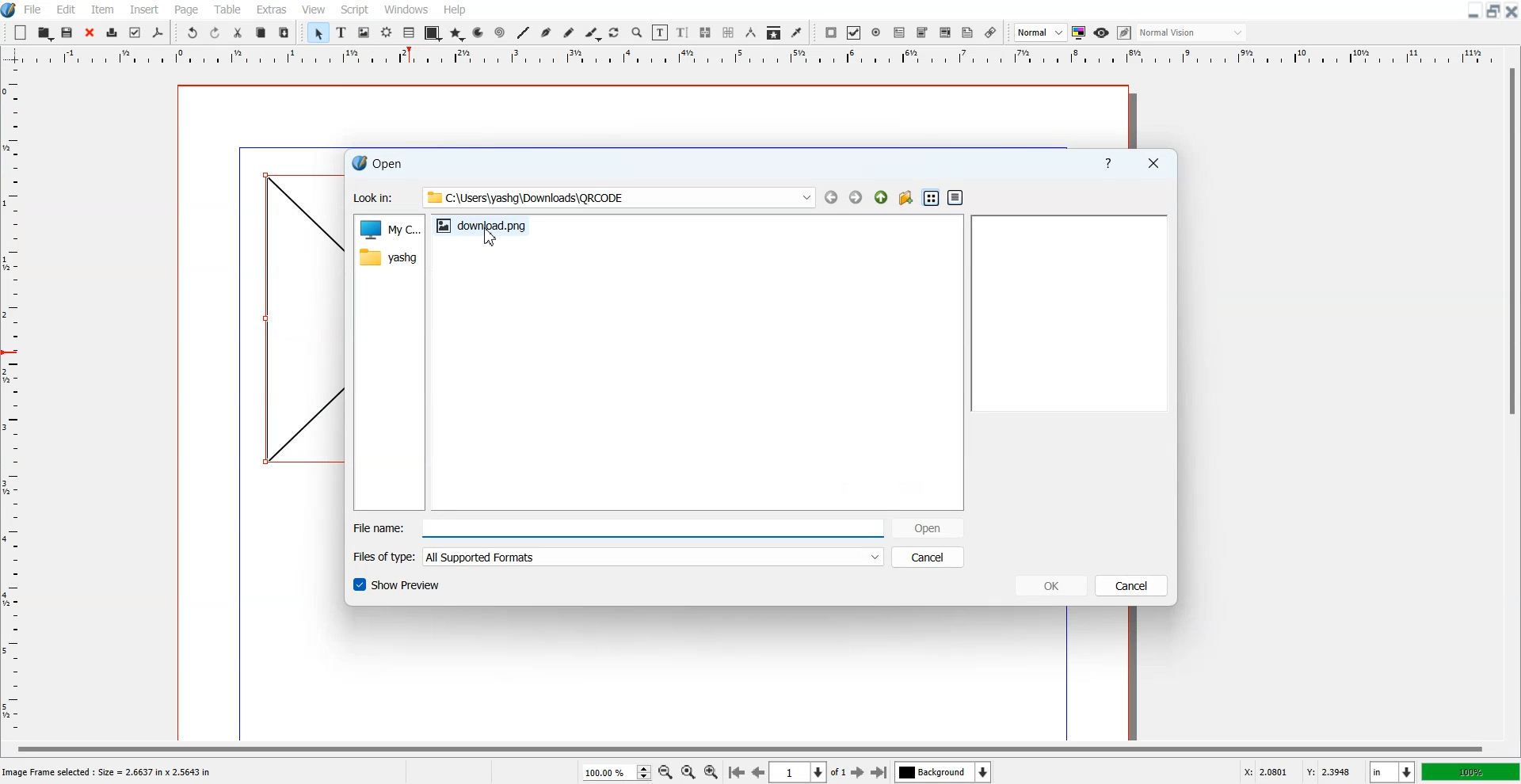 The width and height of the screenshot is (1521, 784). I want to click on Look In, so click(582, 198).